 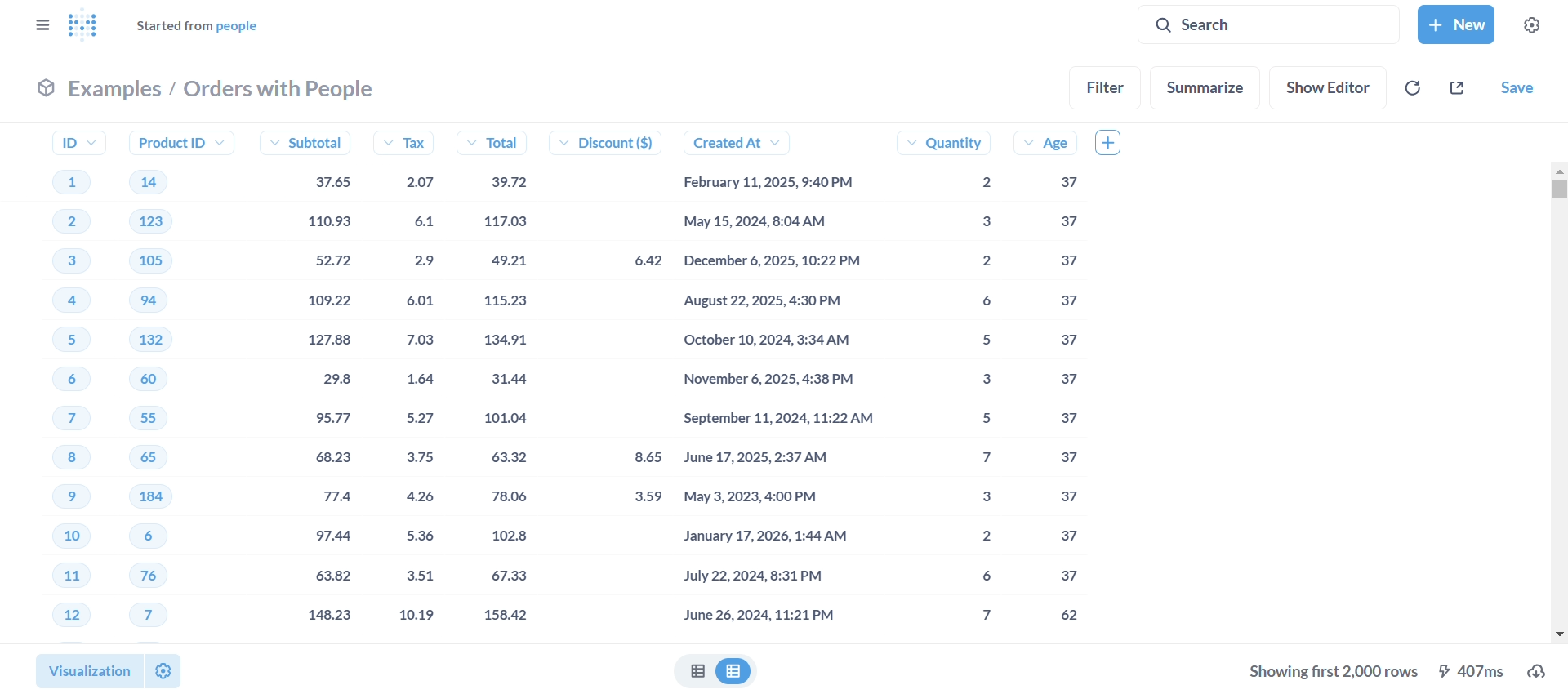 I want to click on sharing, so click(x=1457, y=87).